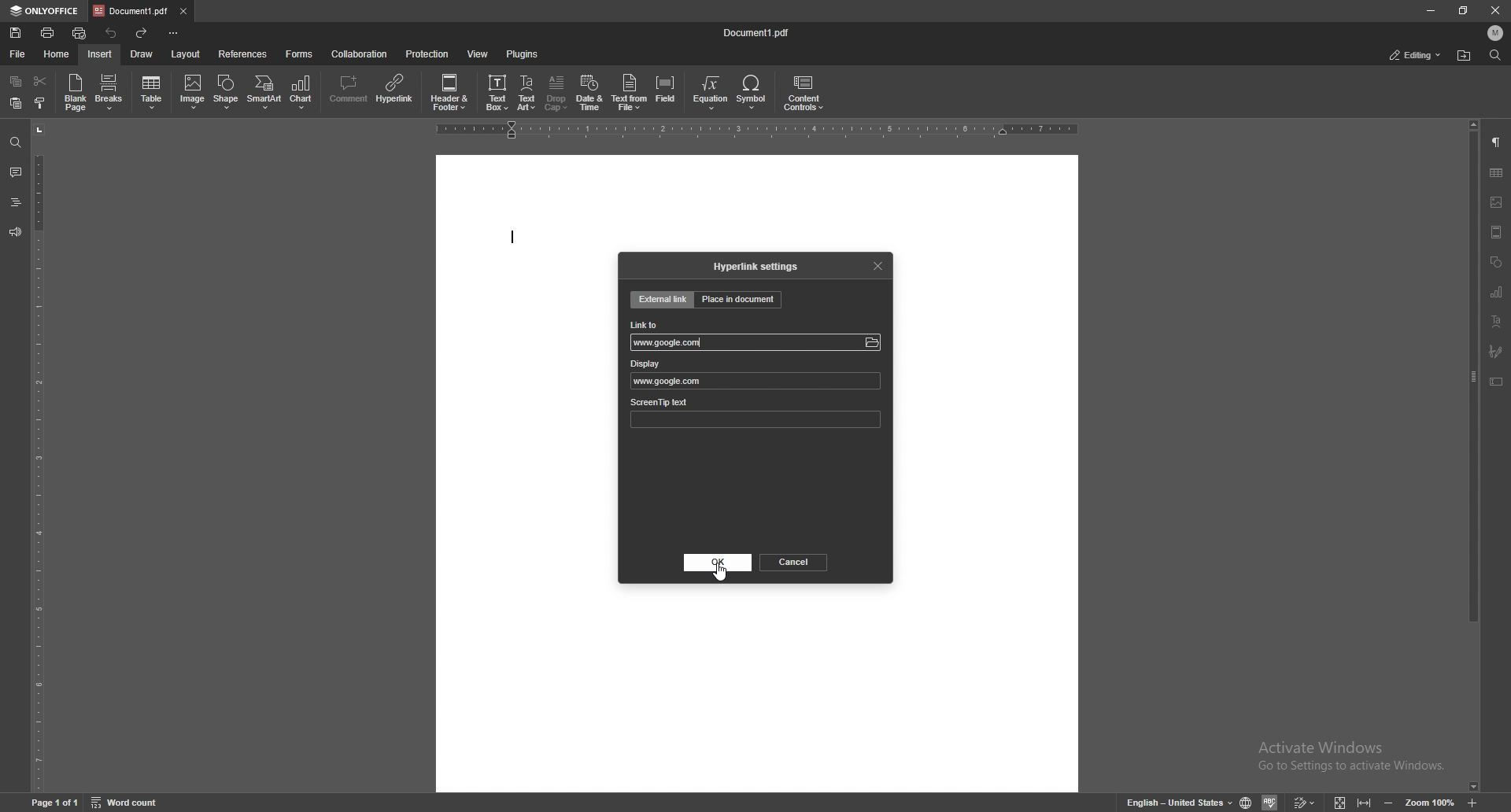 This screenshot has width=1511, height=812. What do you see at coordinates (590, 93) in the screenshot?
I see `date and time` at bounding box center [590, 93].